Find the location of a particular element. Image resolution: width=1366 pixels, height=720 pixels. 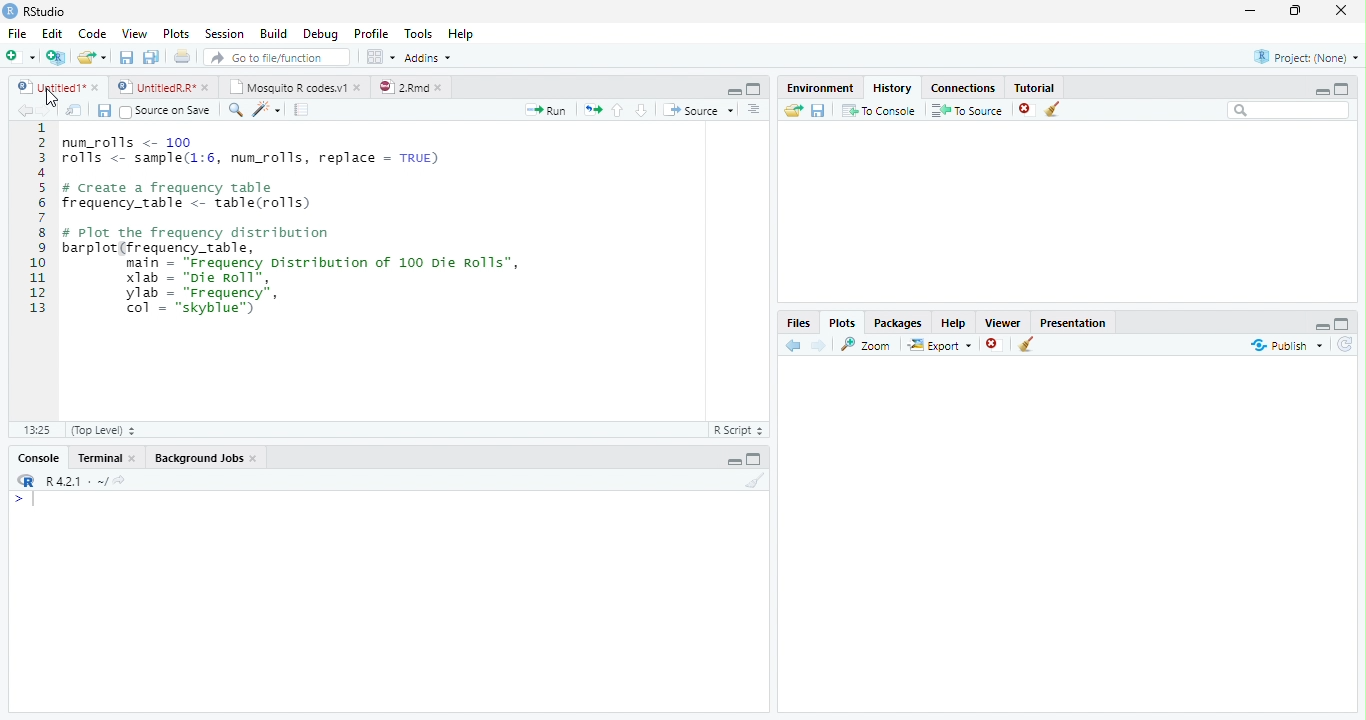

Code is located at coordinates (94, 31).